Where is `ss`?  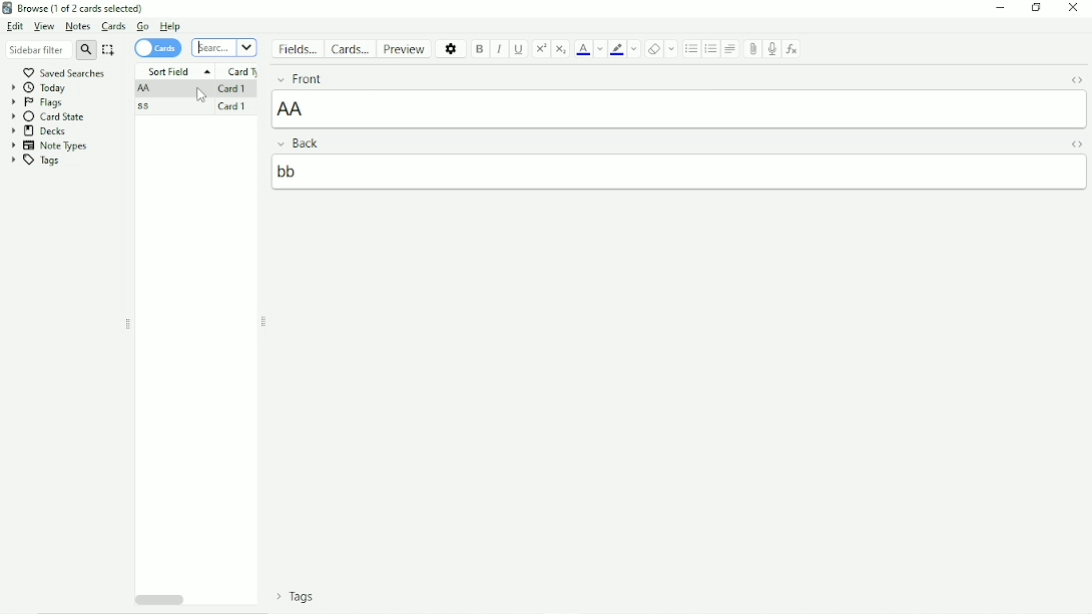 ss is located at coordinates (145, 106).